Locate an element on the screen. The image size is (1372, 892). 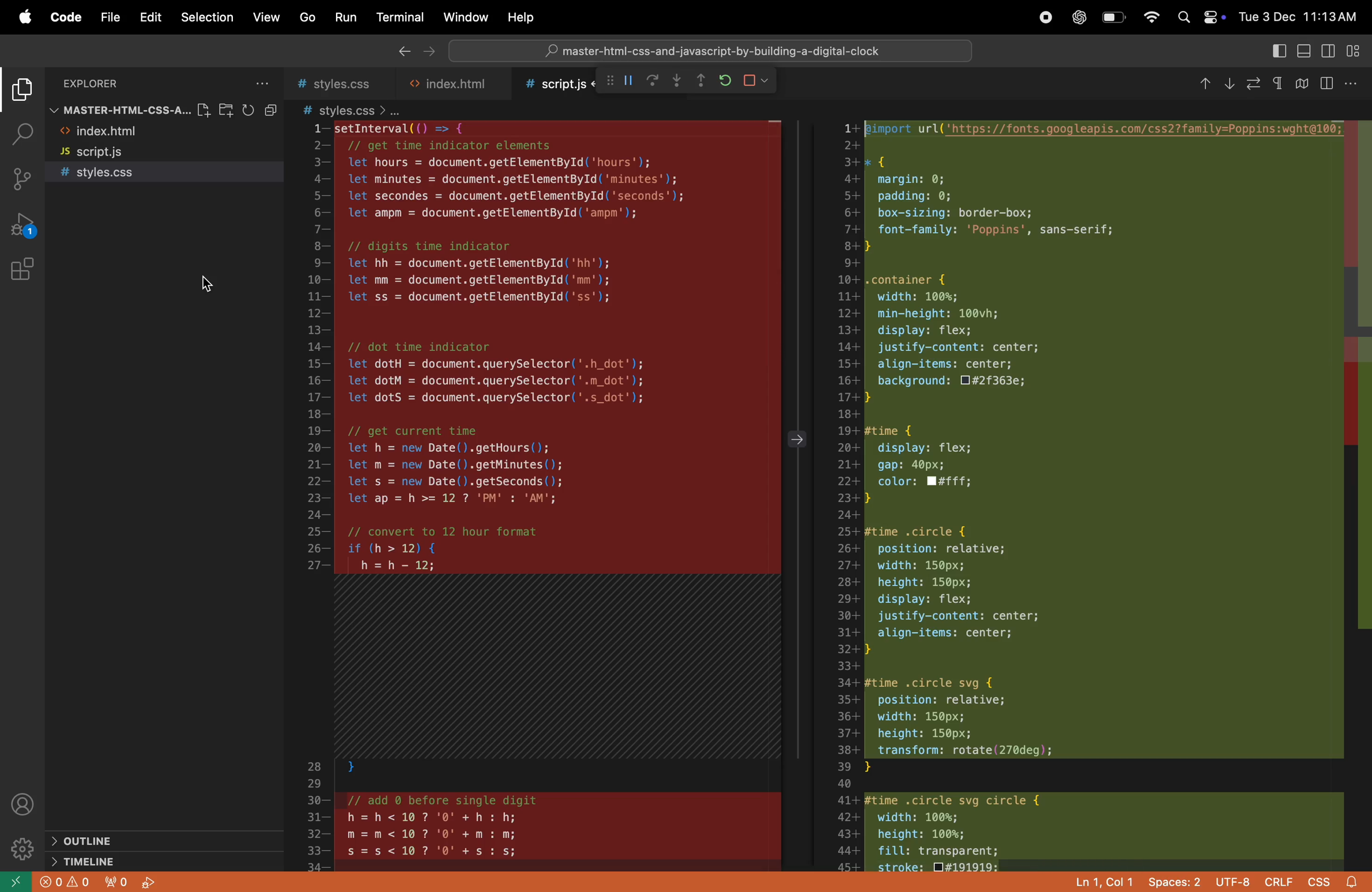
run and debug is located at coordinates (26, 228).